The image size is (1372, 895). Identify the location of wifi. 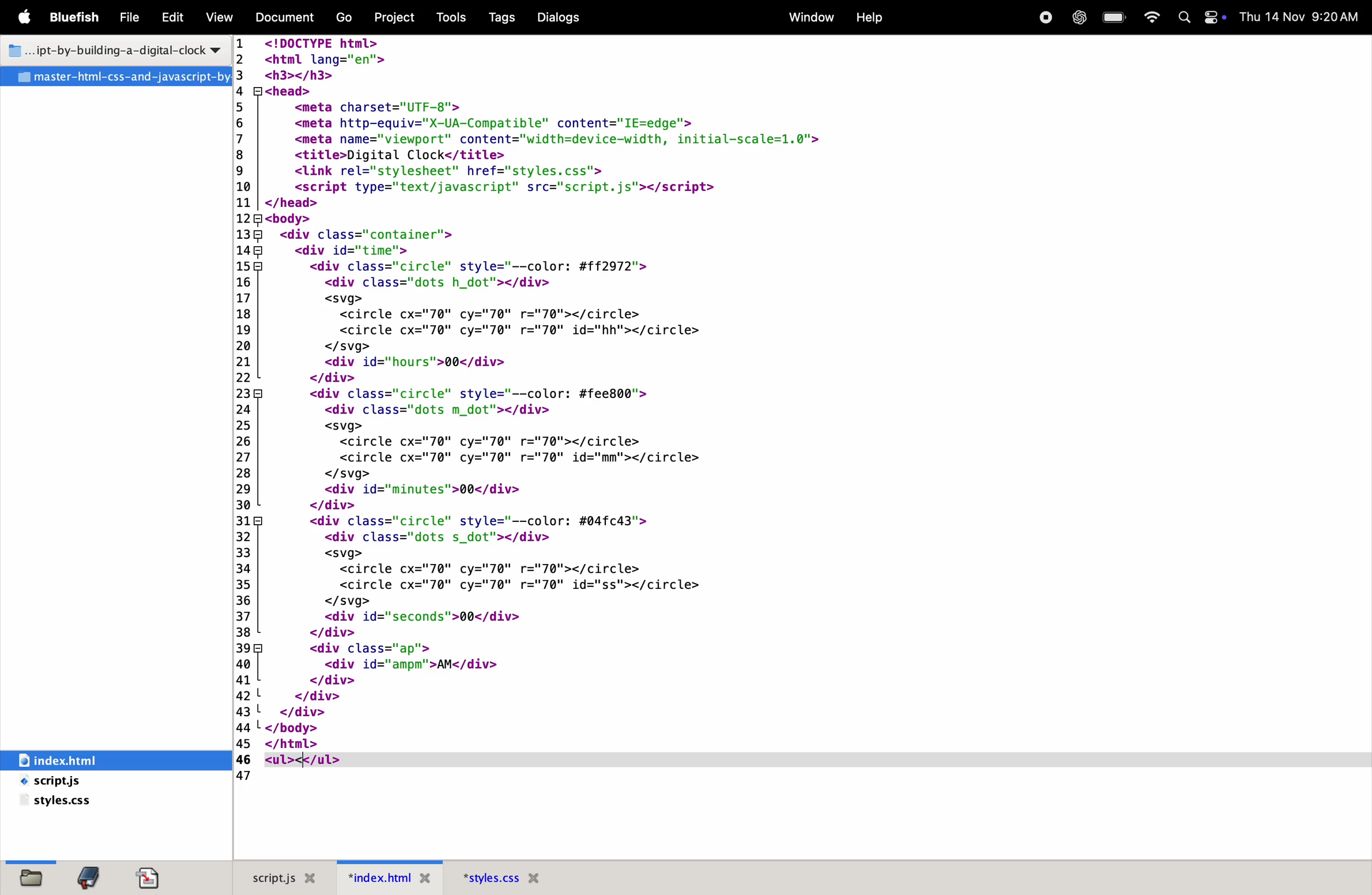
(1151, 18).